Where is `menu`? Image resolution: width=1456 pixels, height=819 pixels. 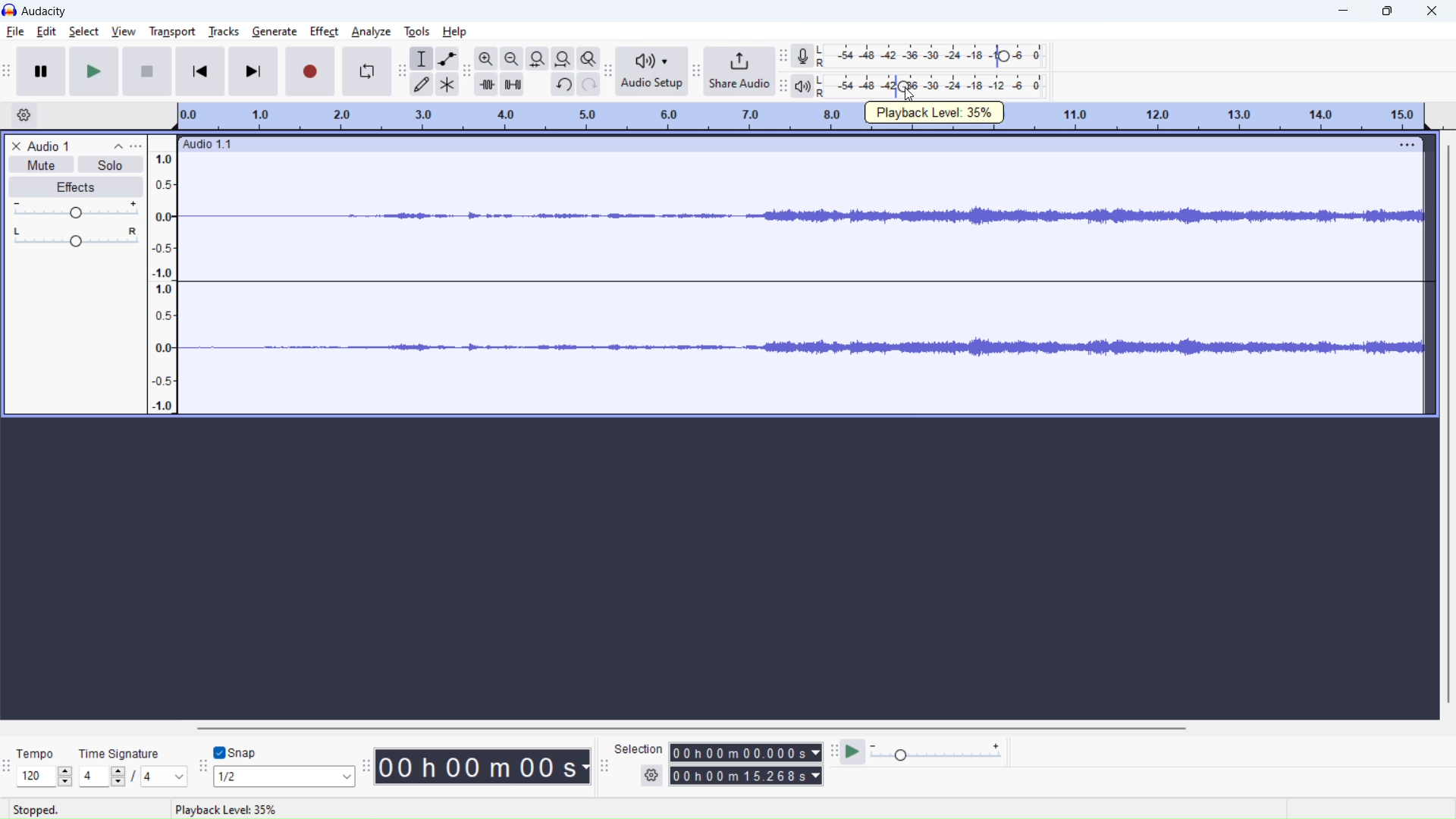
menu is located at coordinates (1408, 143).